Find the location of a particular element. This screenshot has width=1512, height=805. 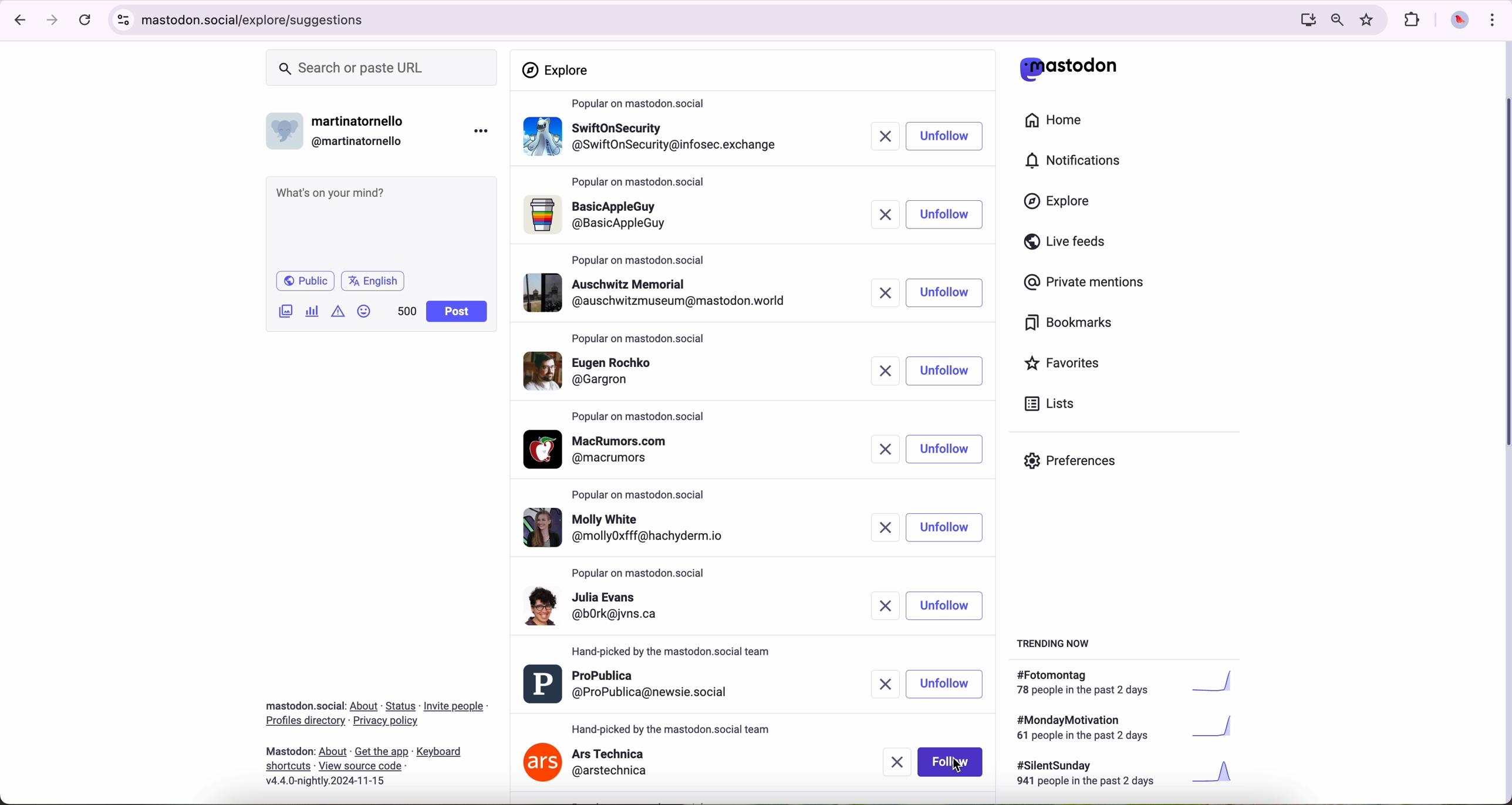

popular on mastodon.social is located at coordinates (643, 184).